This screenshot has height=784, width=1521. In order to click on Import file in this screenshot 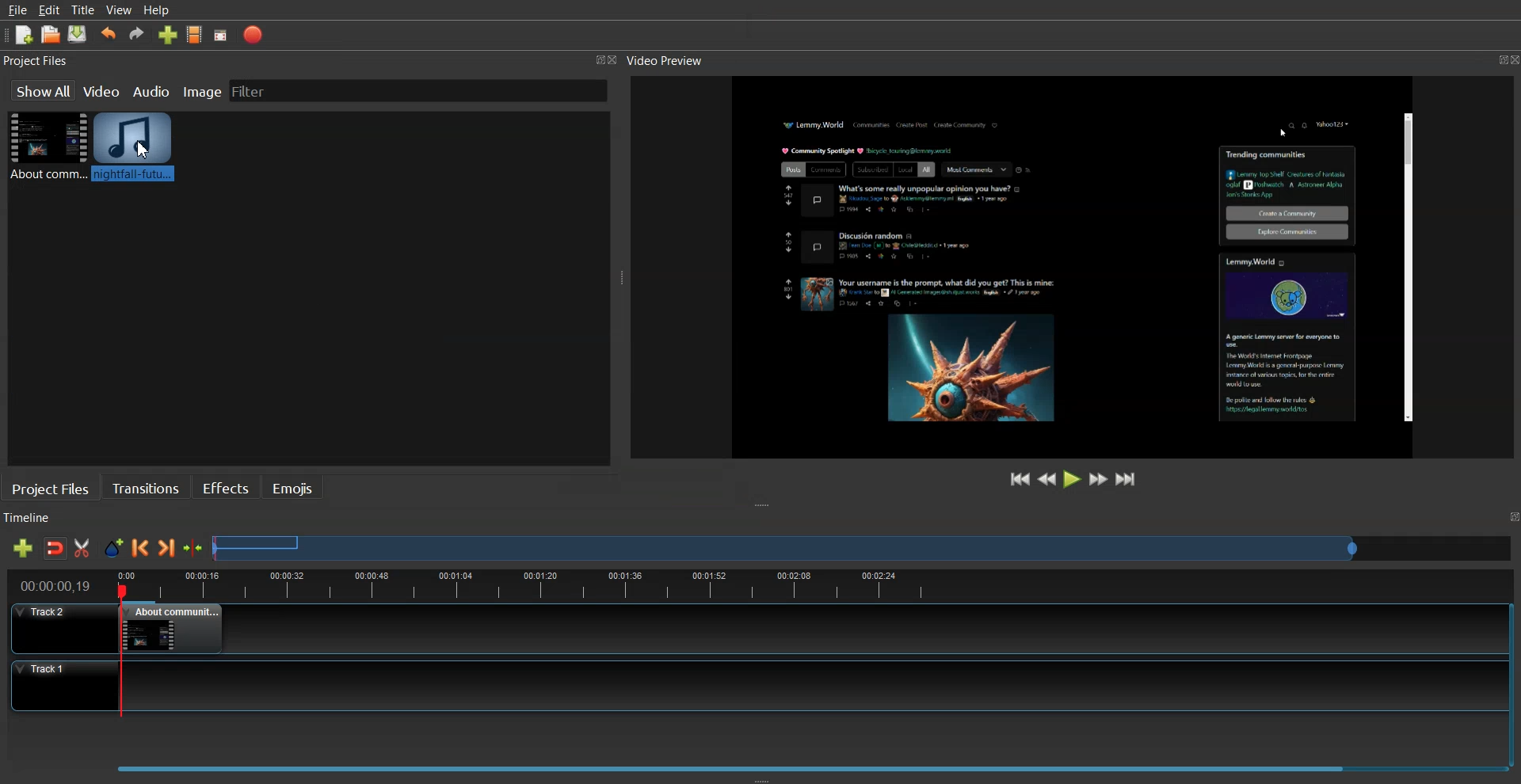, I will do `click(169, 34)`.